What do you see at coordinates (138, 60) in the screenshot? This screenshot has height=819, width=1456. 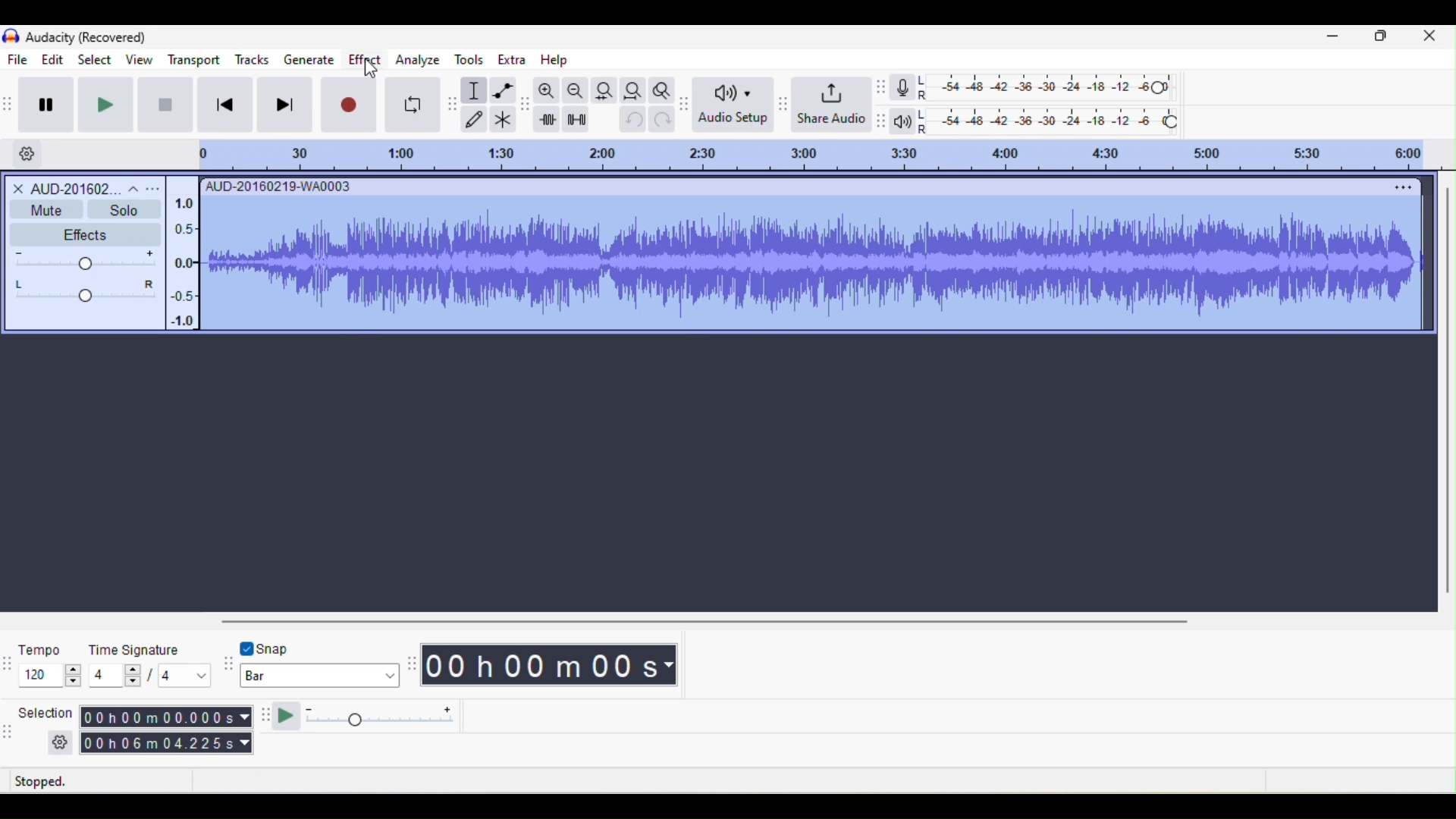 I see `view` at bounding box center [138, 60].